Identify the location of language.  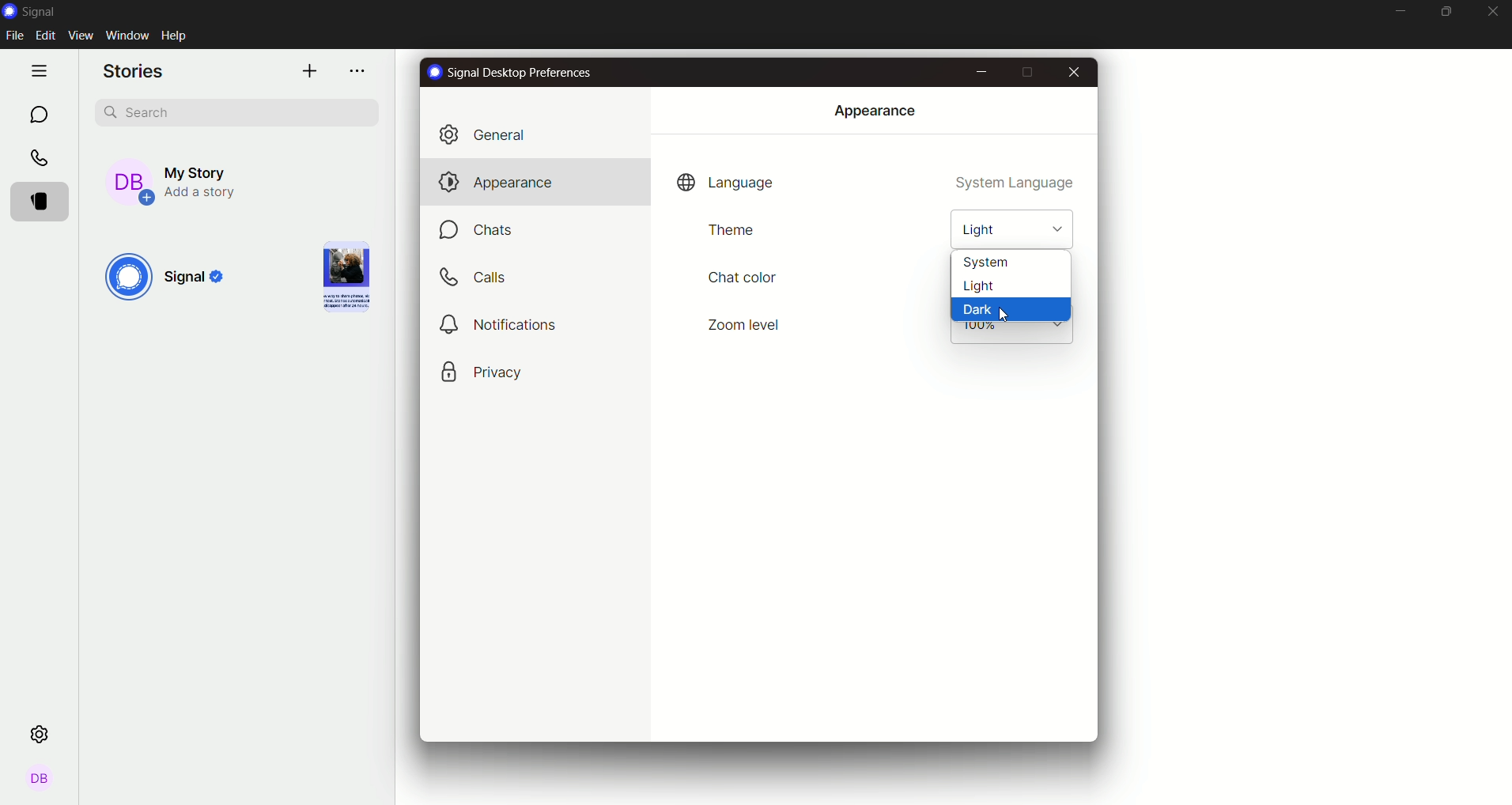
(726, 183).